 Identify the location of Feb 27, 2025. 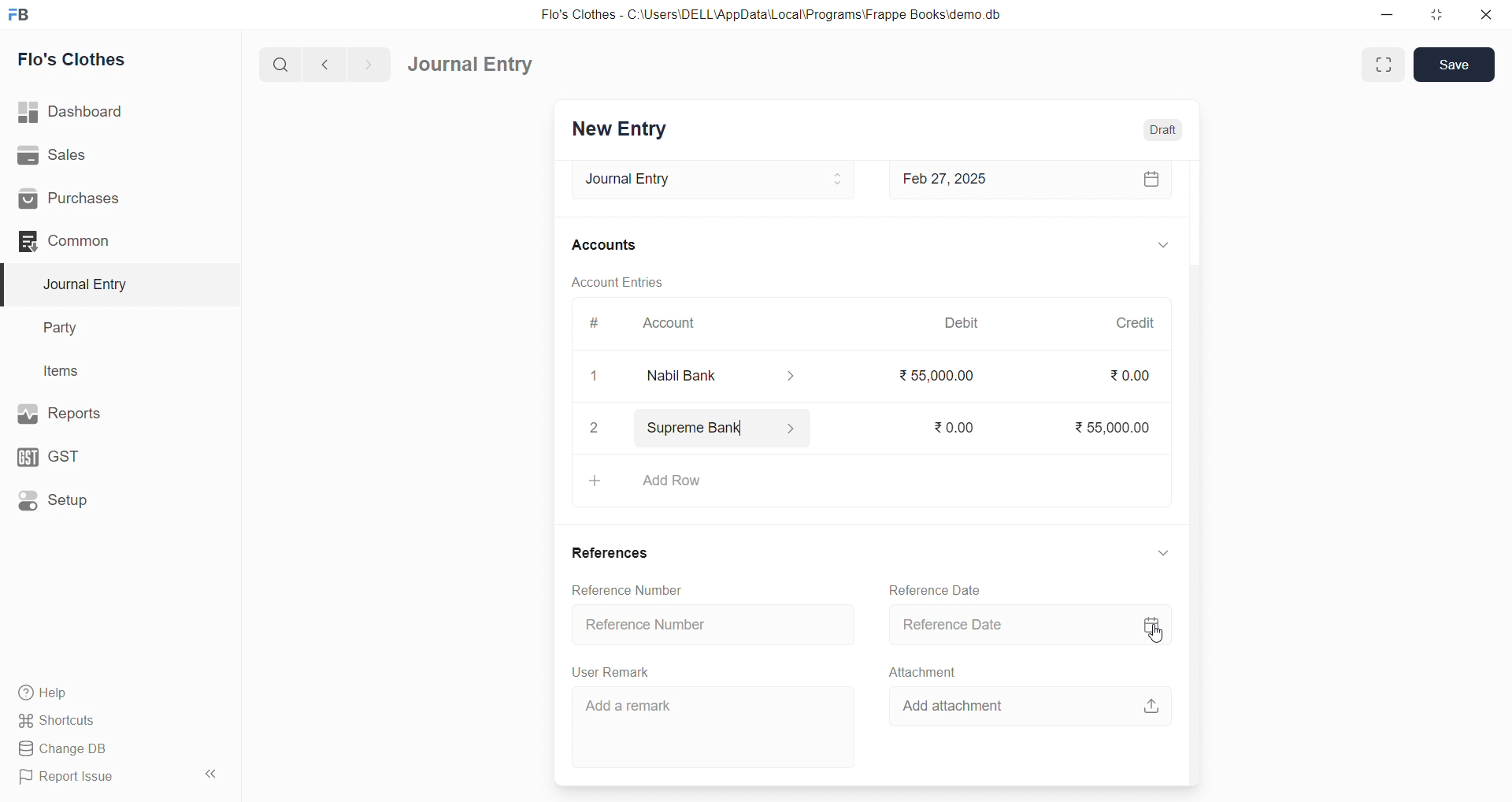
(1032, 181).